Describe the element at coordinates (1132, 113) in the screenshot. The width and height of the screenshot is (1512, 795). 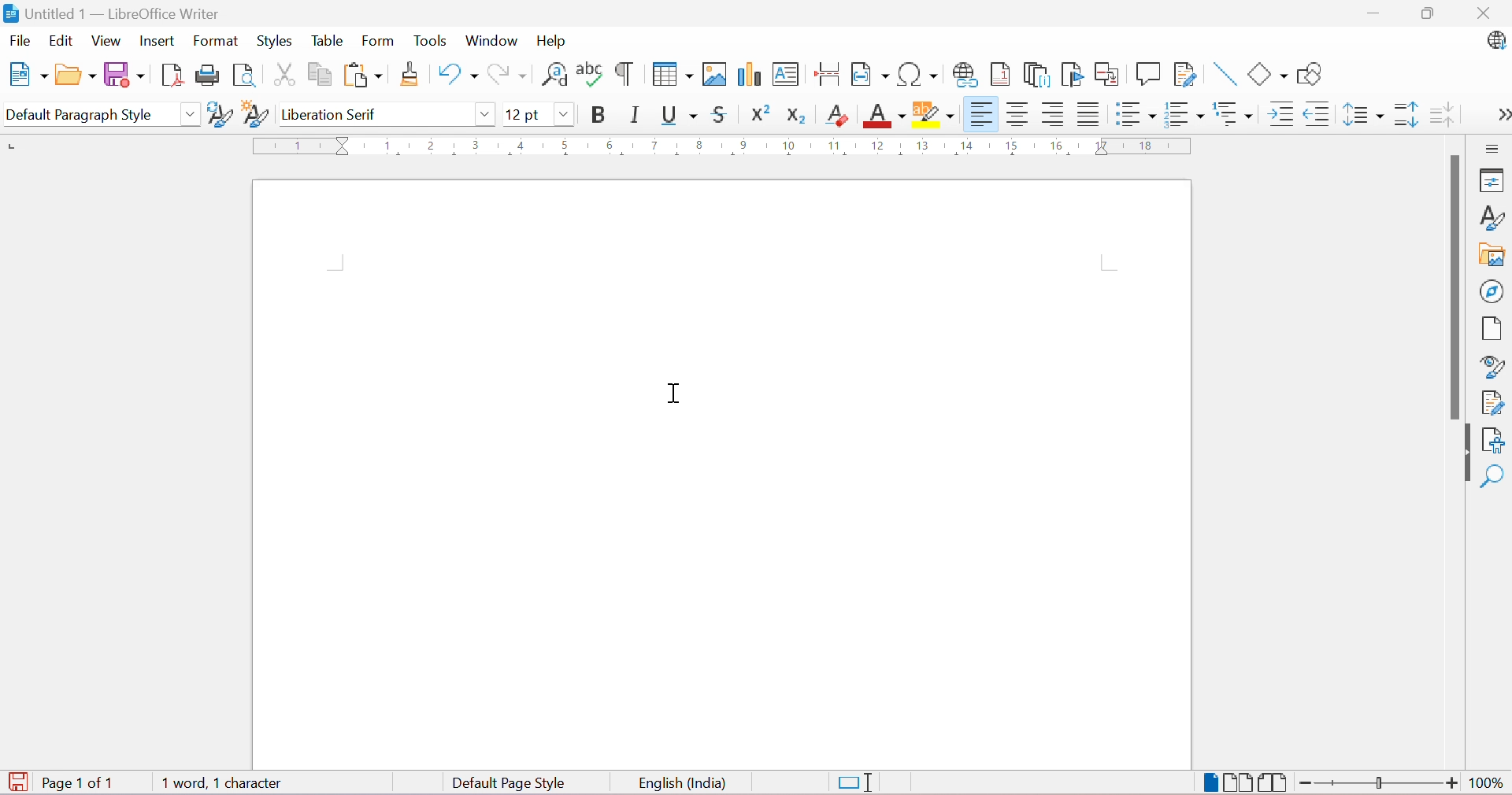
I see `Toggle Unordered List` at that location.